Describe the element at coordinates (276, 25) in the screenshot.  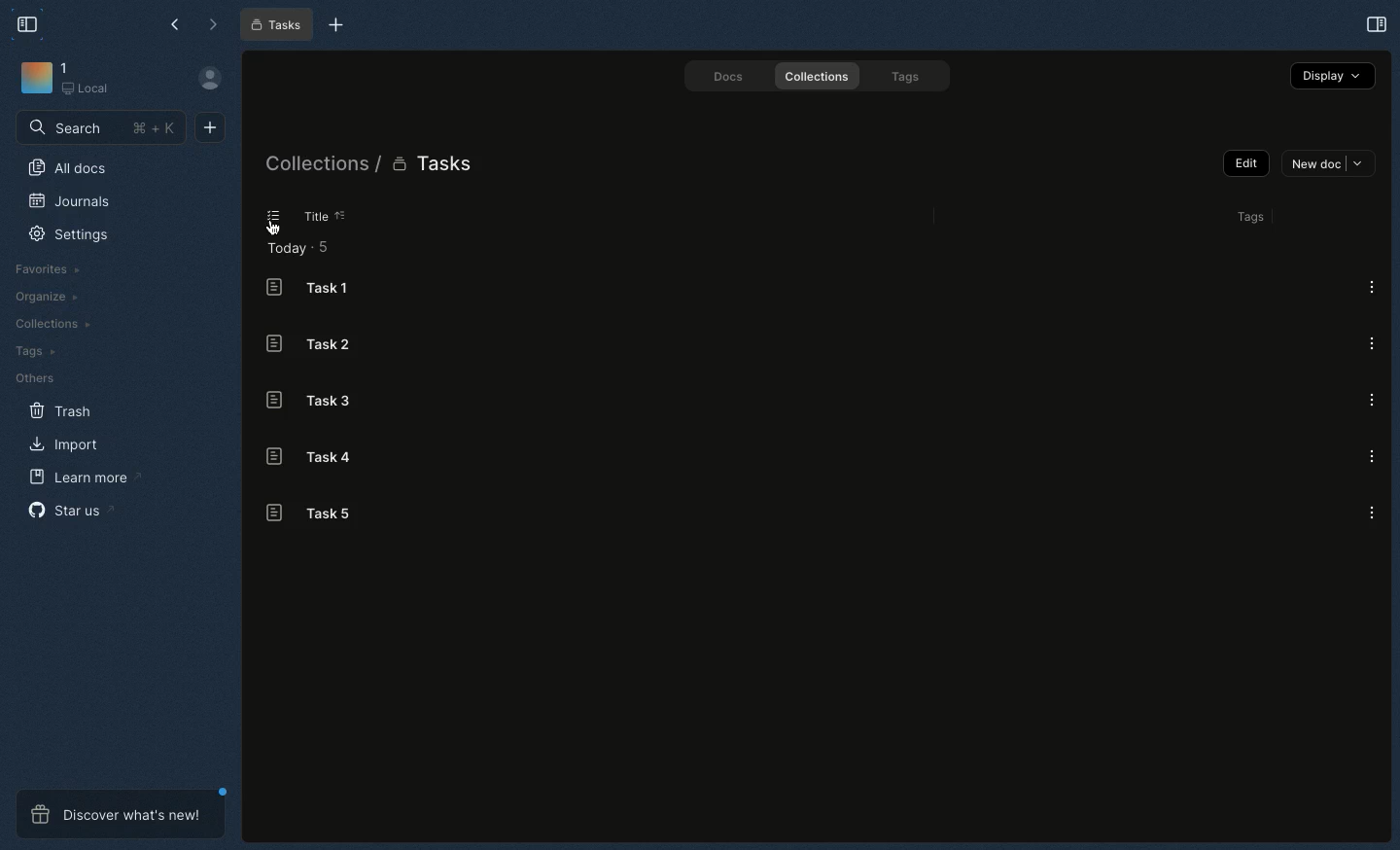
I see `Tasks` at that location.